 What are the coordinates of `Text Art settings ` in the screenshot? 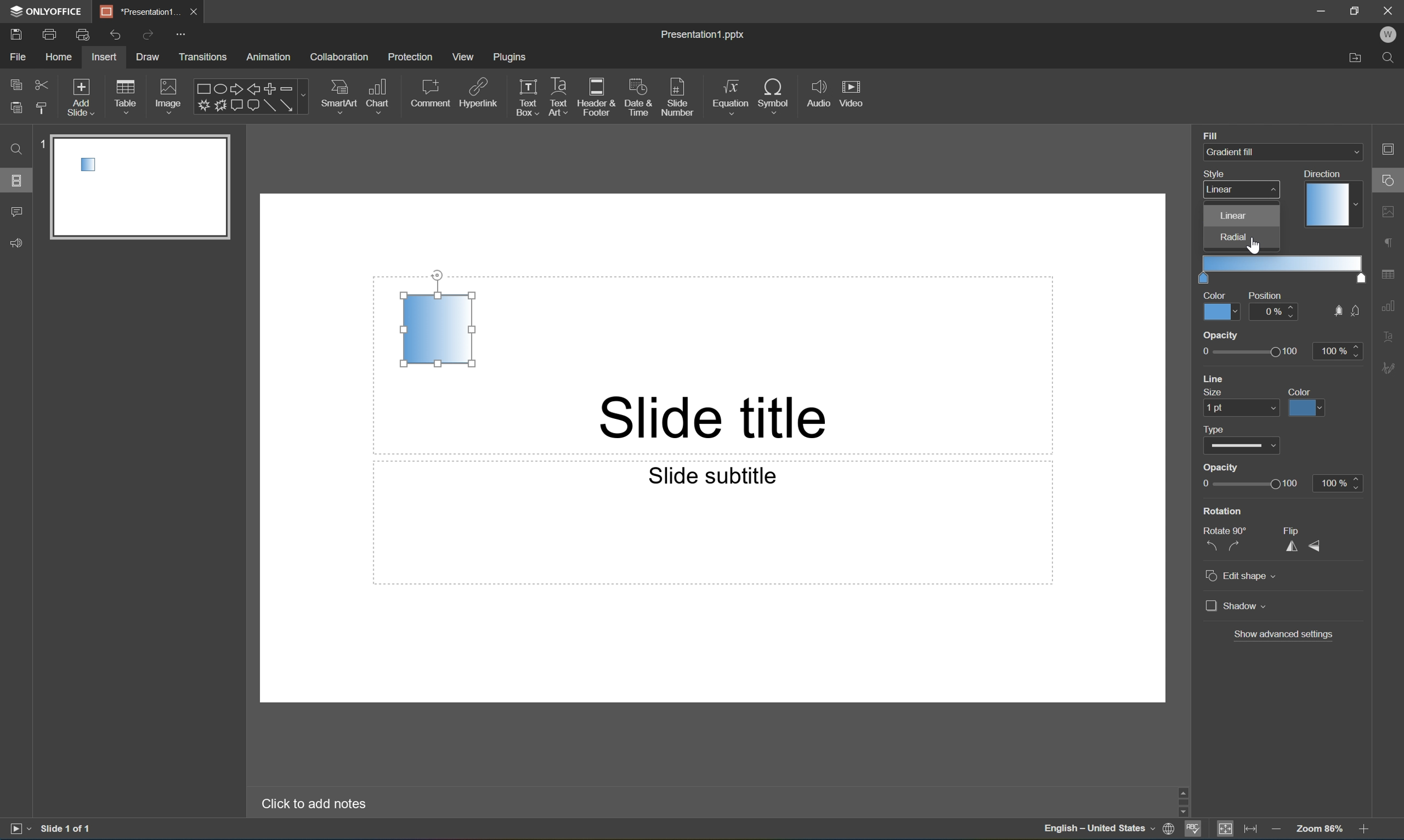 It's located at (1392, 335).